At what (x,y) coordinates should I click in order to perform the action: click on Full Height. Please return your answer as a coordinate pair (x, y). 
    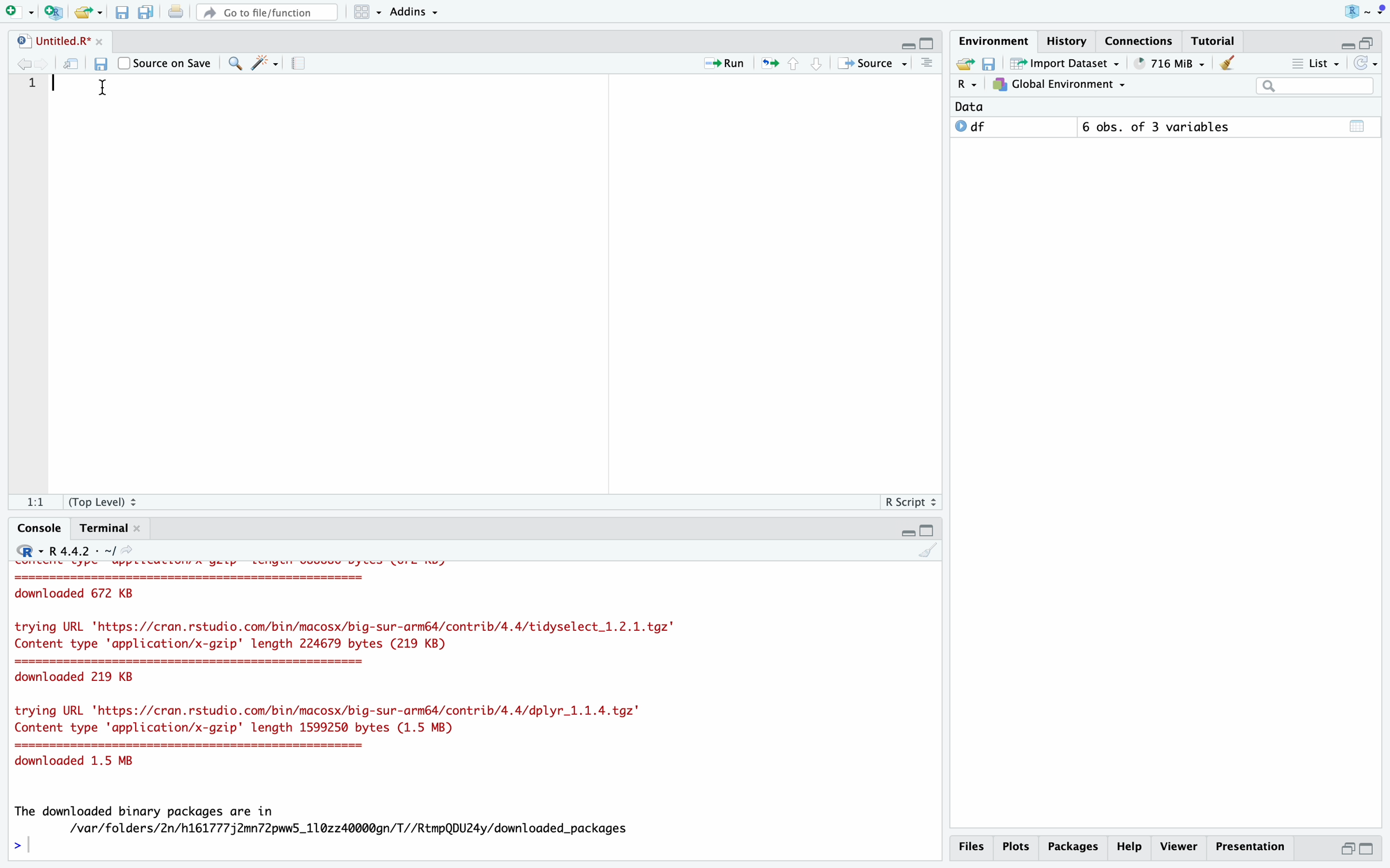
    Looking at the image, I should click on (929, 530).